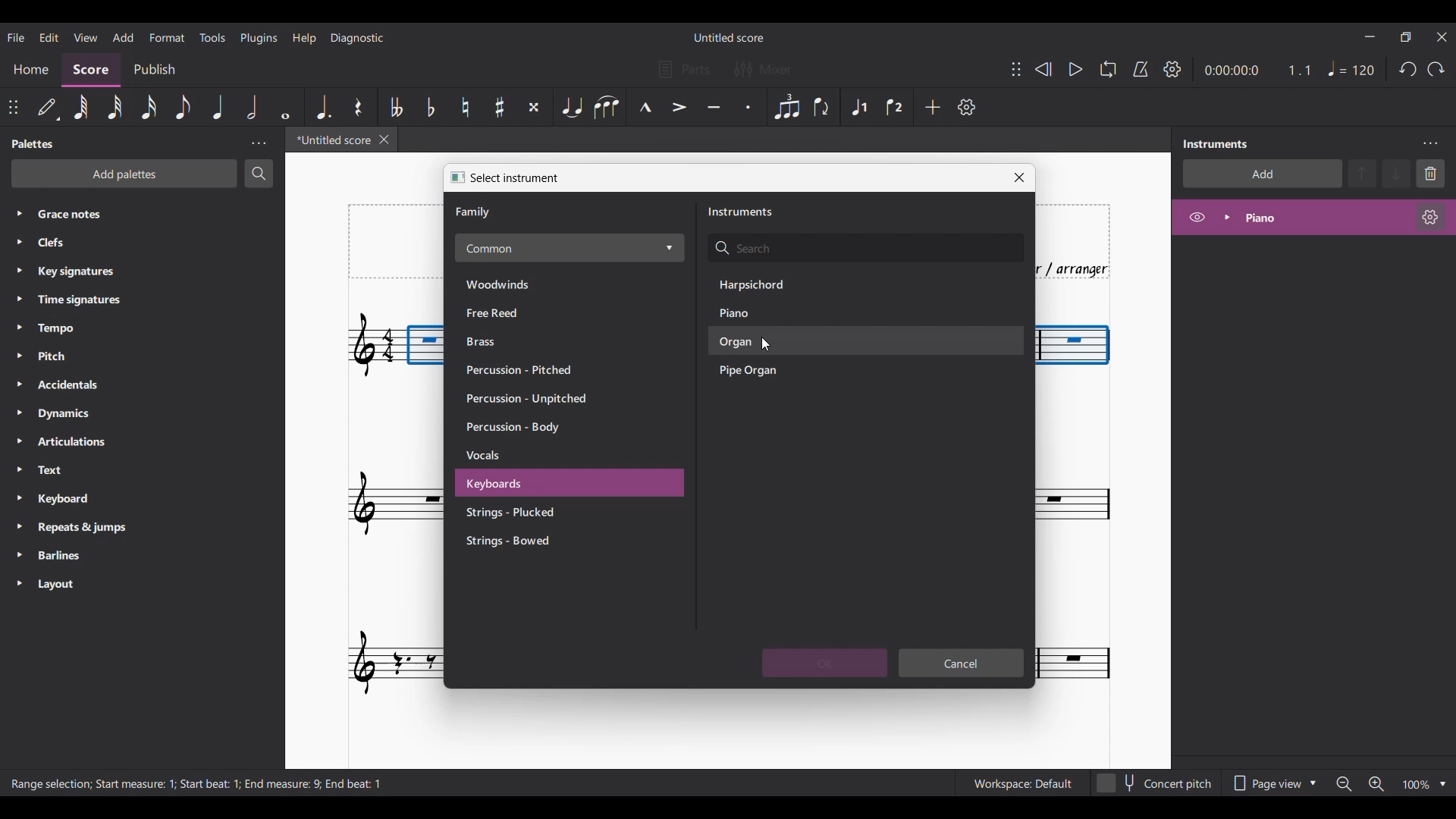  Describe the element at coordinates (747, 107) in the screenshot. I see `Staccato` at that location.